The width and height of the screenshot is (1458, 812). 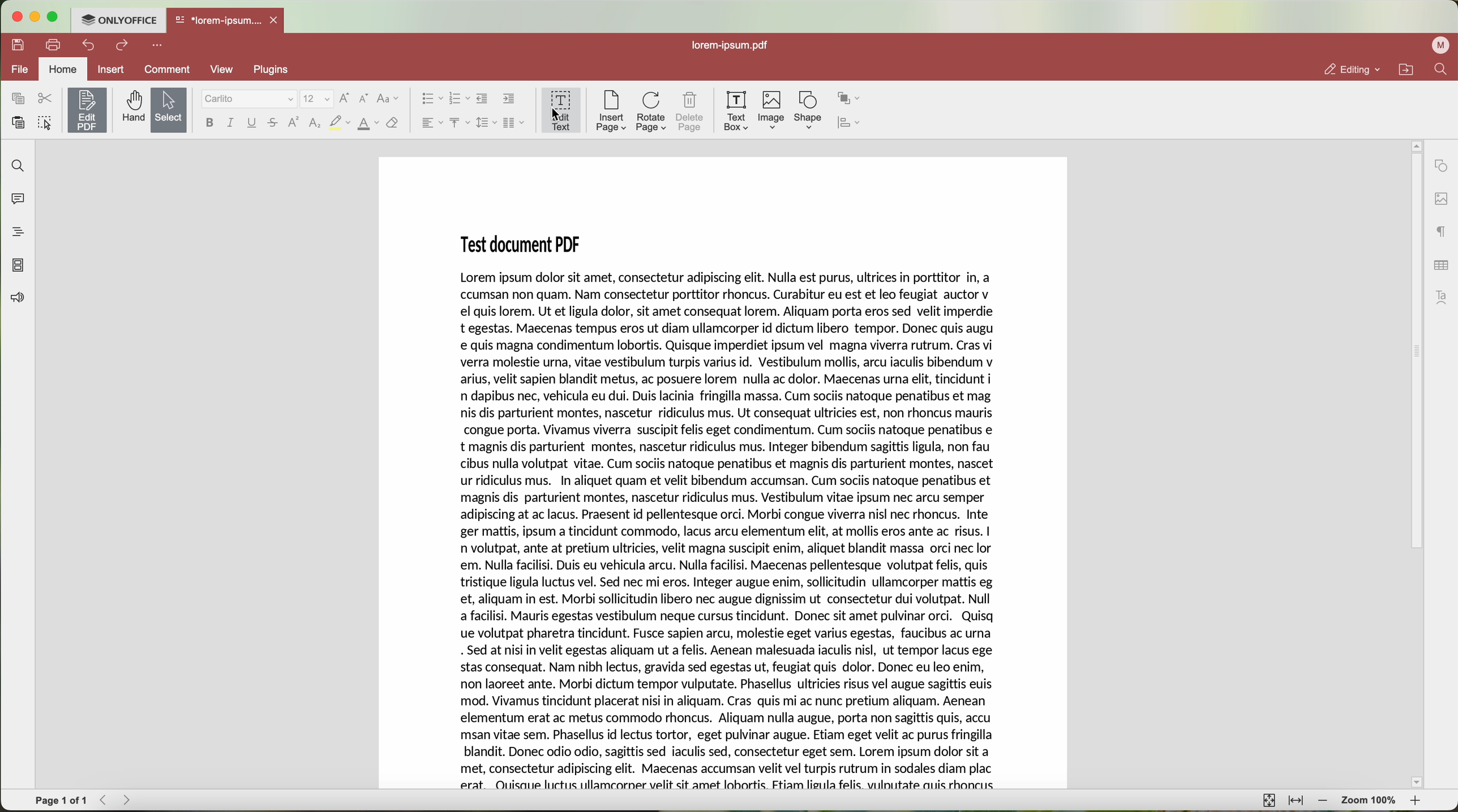 What do you see at coordinates (431, 122) in the screenshot?
I see `horizontal align` at bounding box center [431, 122].